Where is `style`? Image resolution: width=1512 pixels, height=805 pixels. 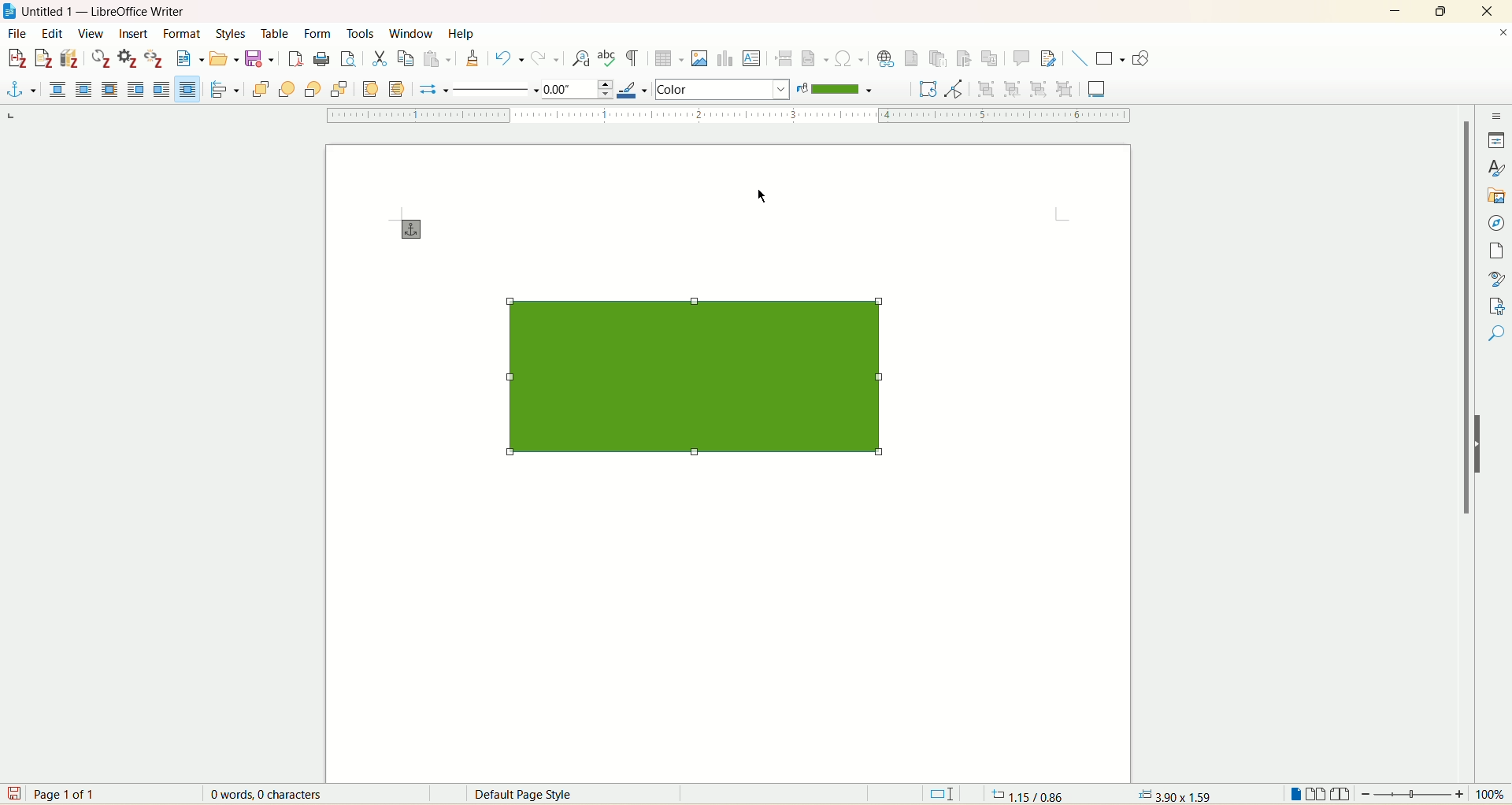
style is located at coordinates (1498, 169).